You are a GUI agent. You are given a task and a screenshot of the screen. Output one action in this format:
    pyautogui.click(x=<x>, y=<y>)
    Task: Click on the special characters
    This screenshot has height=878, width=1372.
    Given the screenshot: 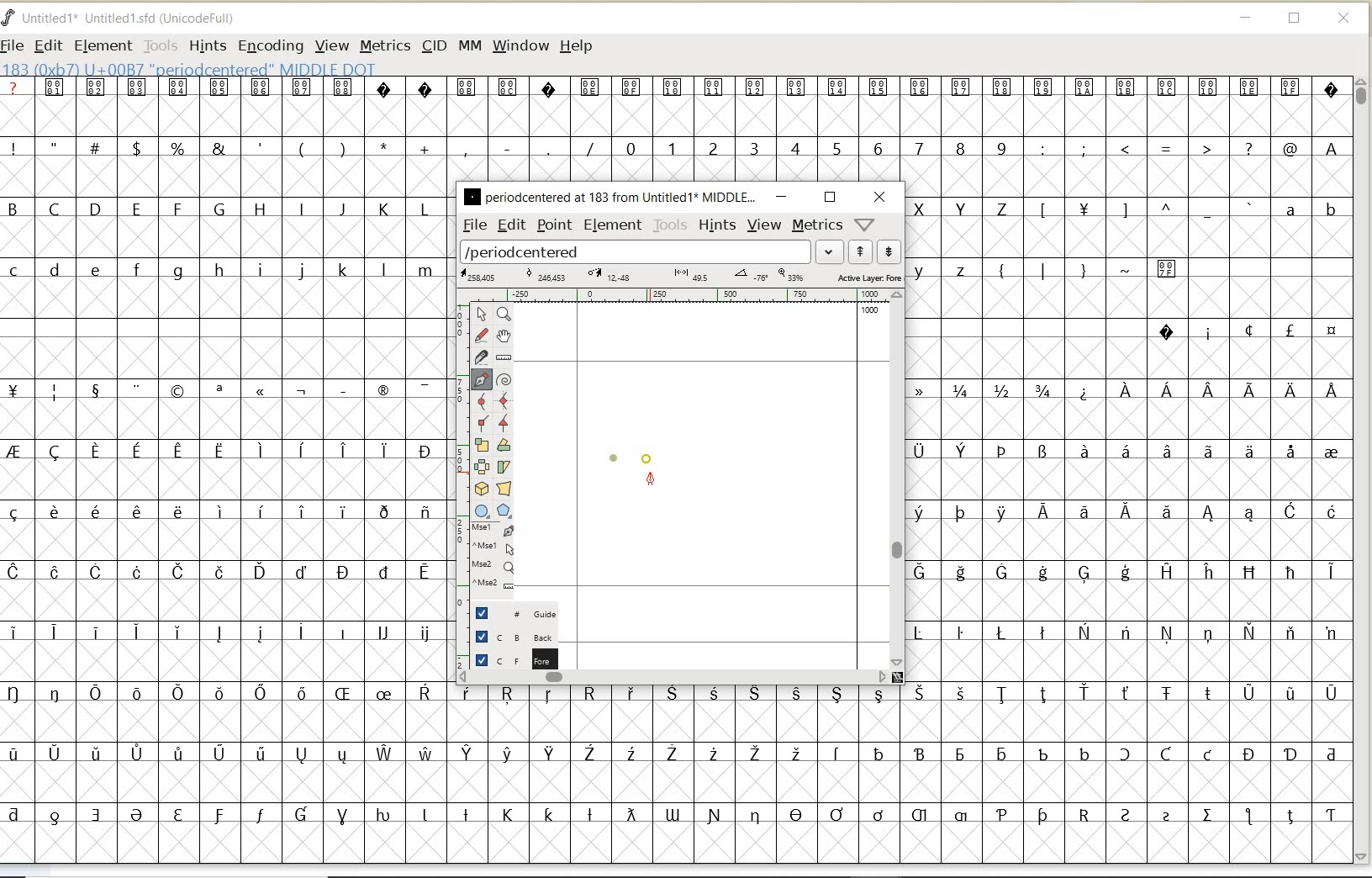 What is the action you would take?
    pyautogui.click(x=1108, y=276)
    